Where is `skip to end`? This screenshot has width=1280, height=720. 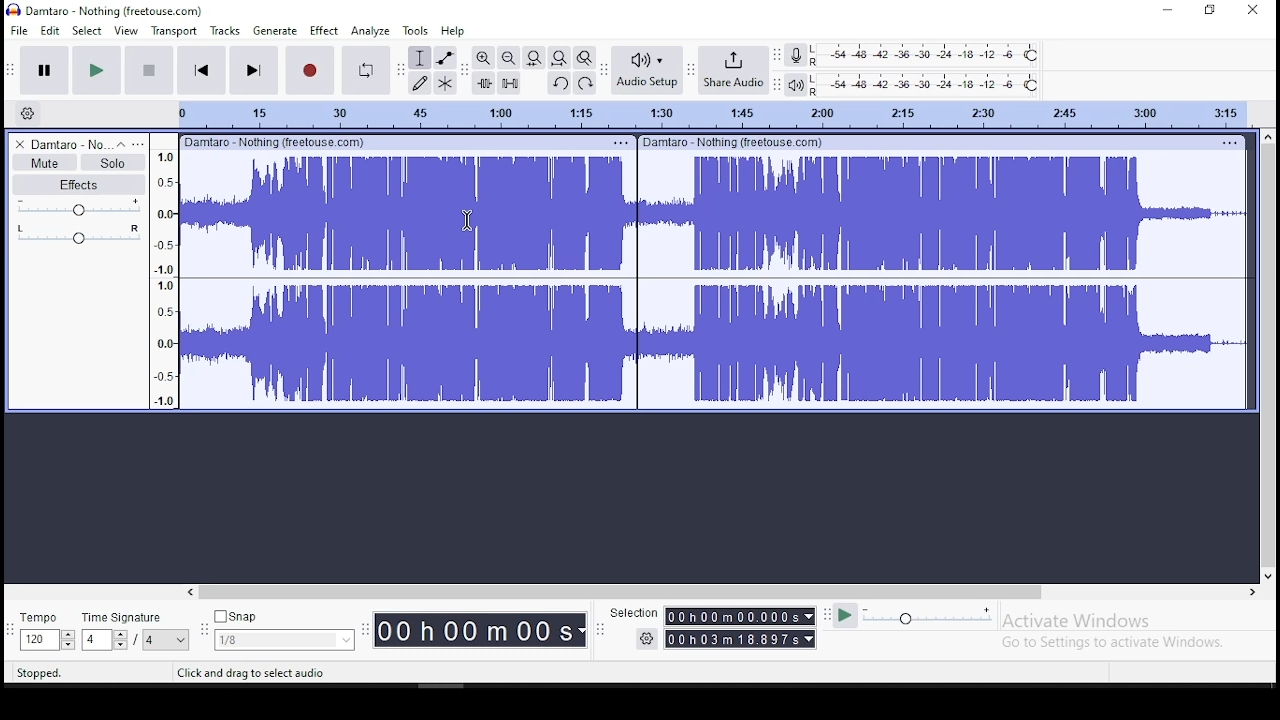
skip to end is located at coordinates (252, 69).